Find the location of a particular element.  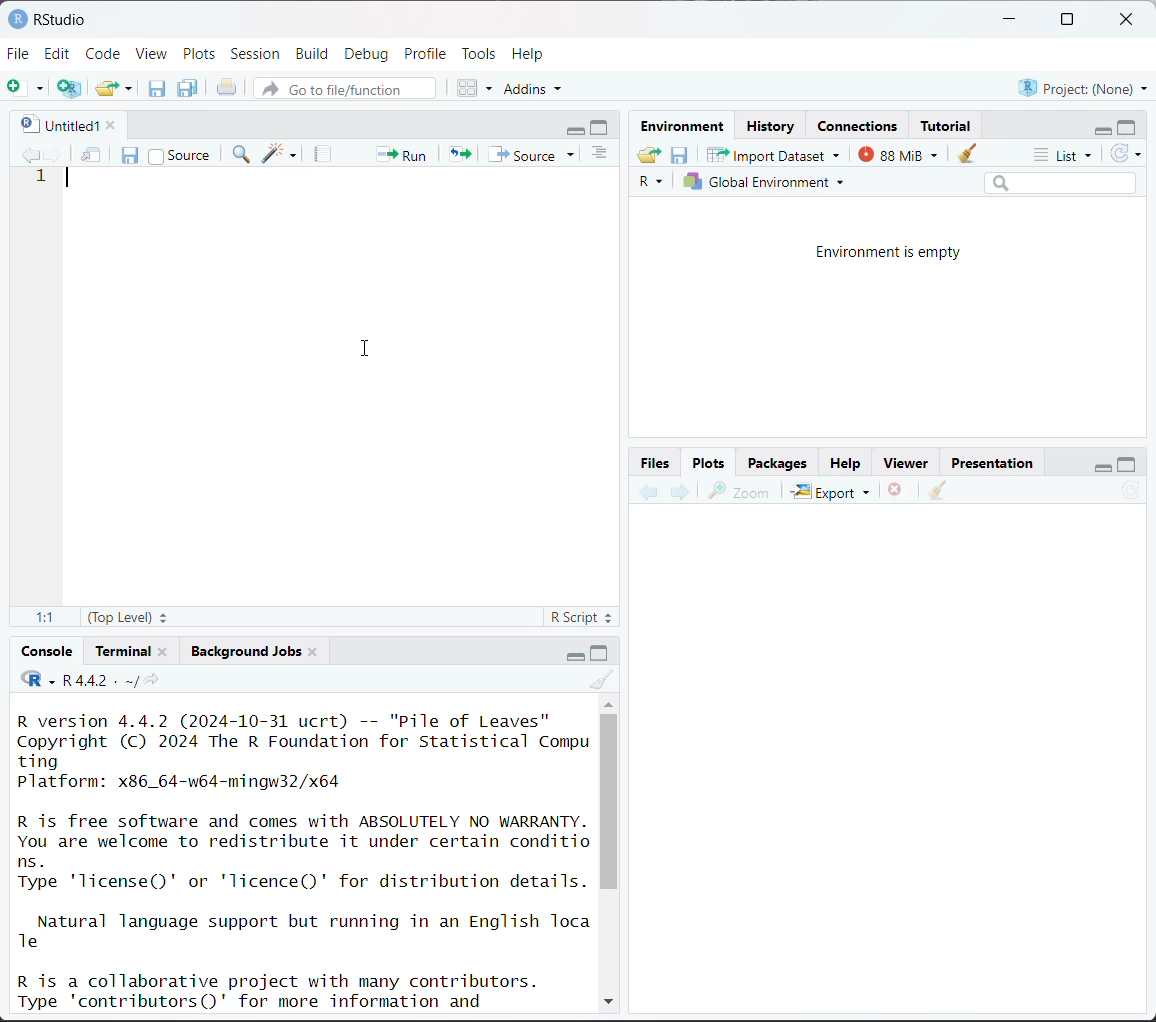

show in new window is located at coordinates (93, 156).